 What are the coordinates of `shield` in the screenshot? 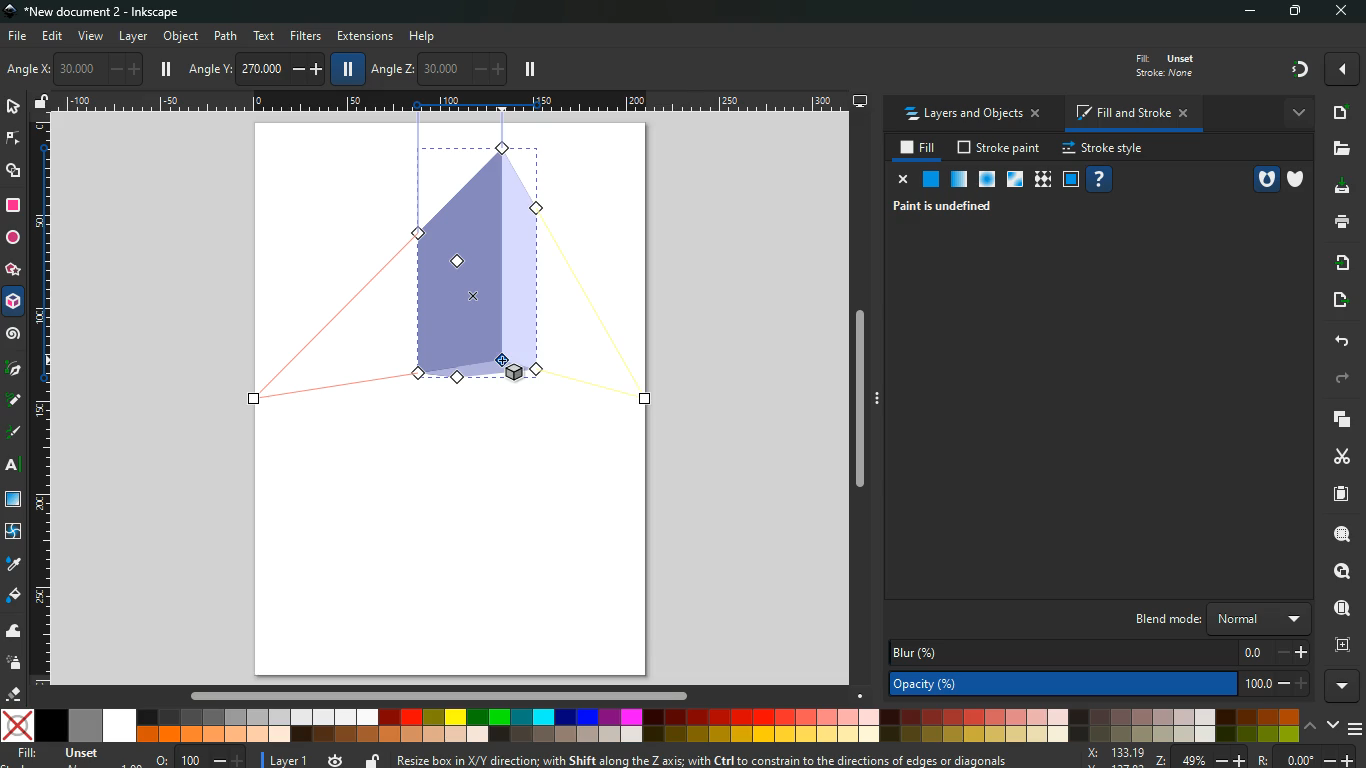 It's located at (1299, 180).